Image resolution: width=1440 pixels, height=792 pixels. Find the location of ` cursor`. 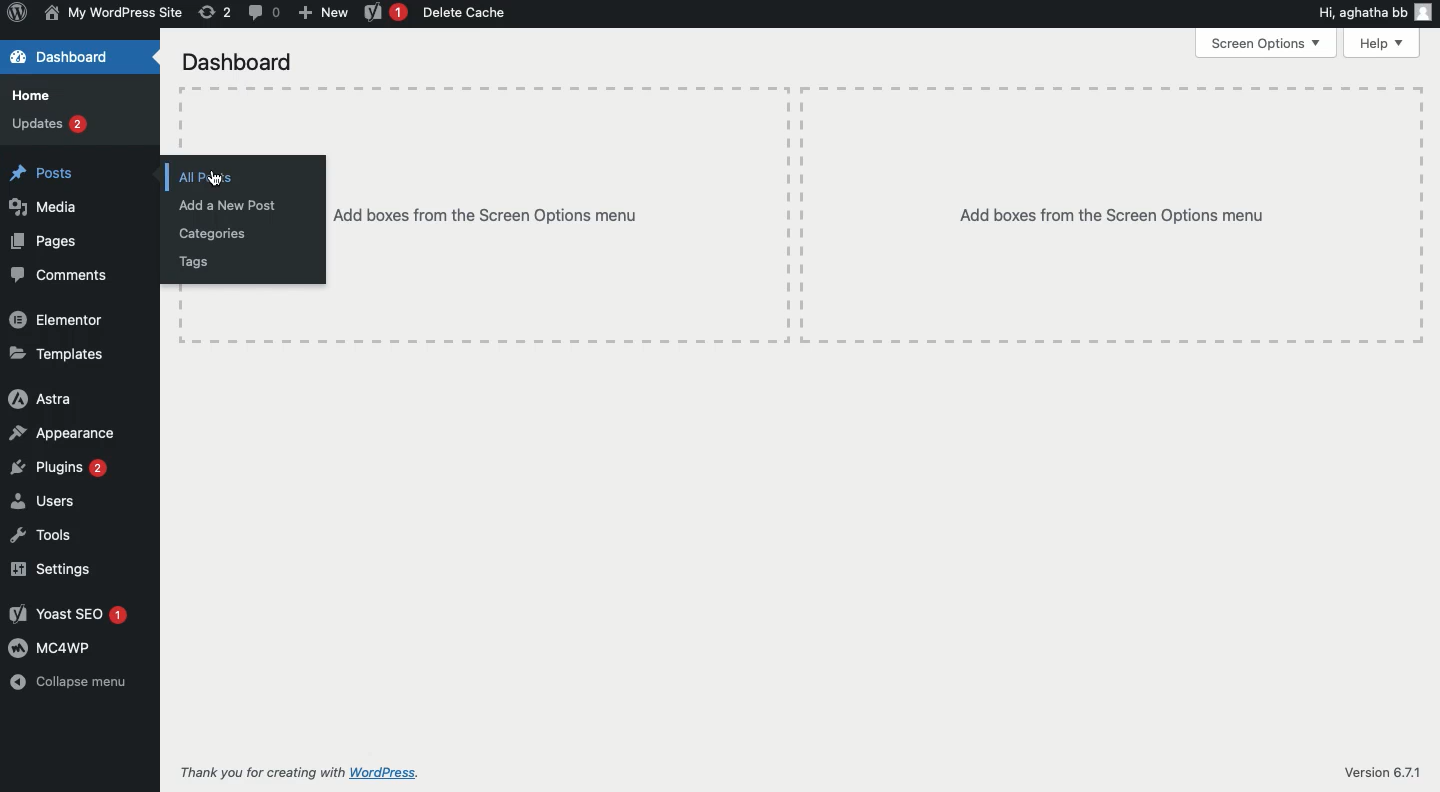

 cursor is located at coordinates (215, 179).